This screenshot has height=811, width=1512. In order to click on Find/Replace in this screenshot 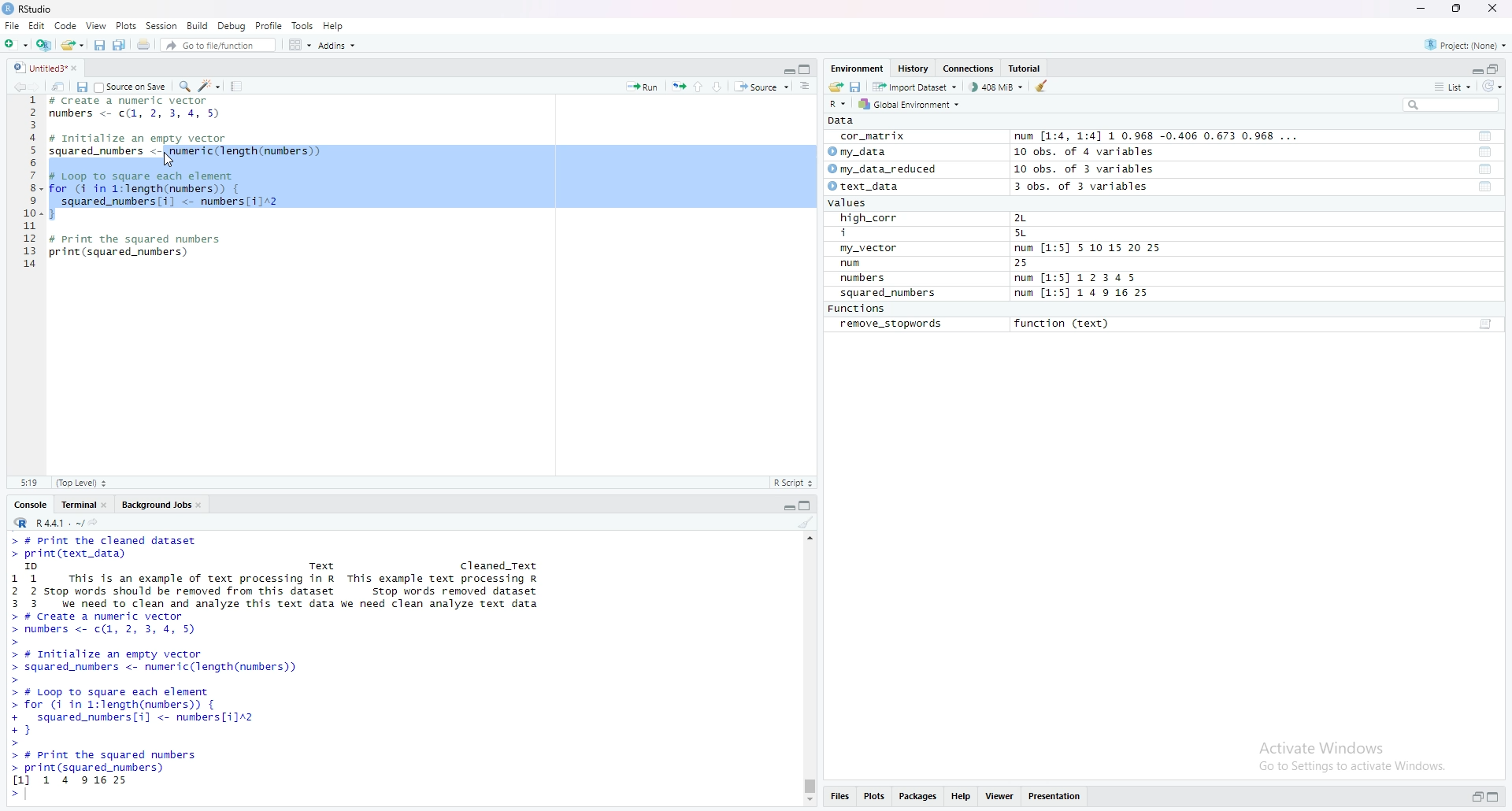, I will do `click(184, 85)`.